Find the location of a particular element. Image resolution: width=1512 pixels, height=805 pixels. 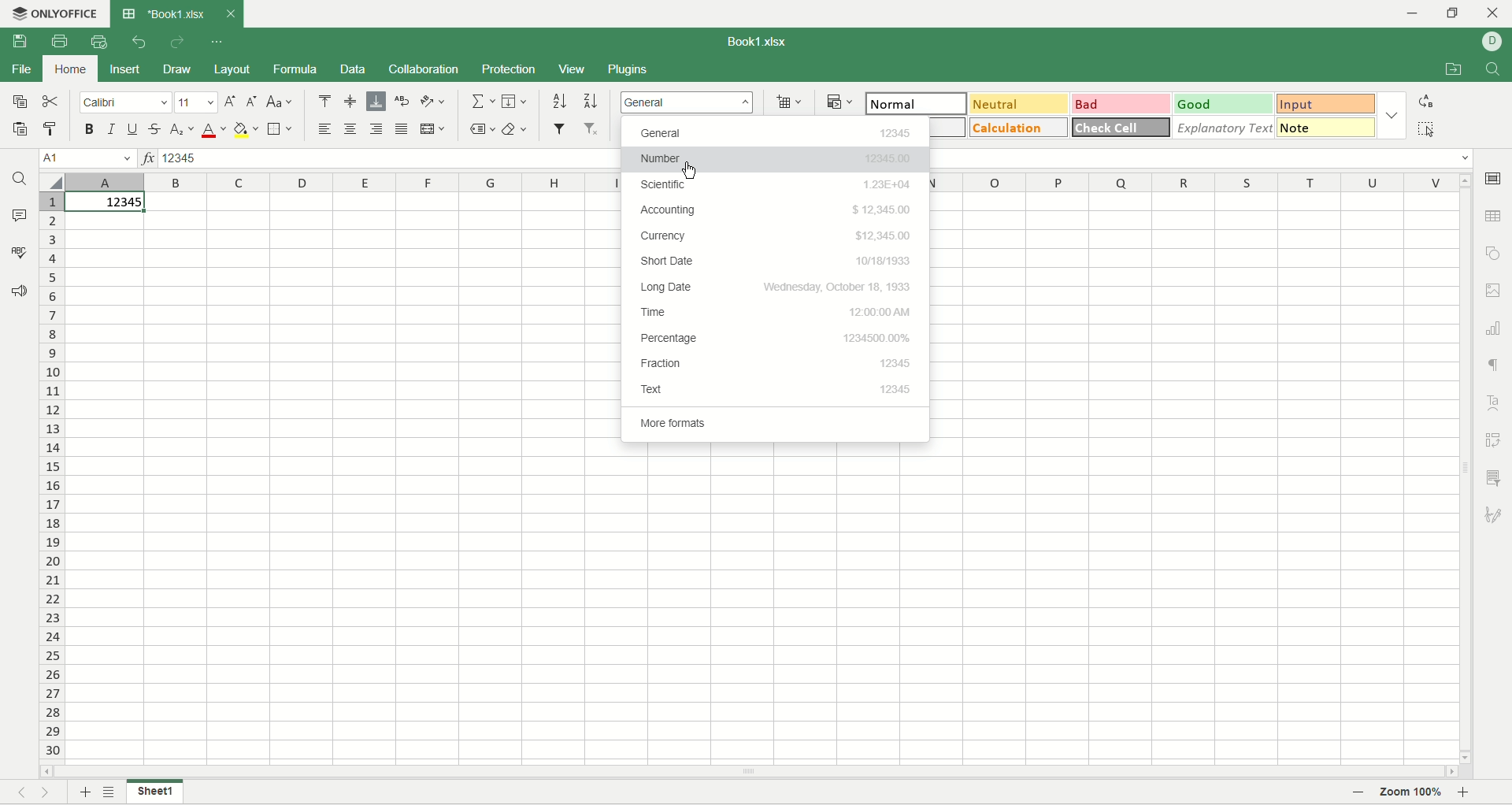

long date is located at coordinates (776, 288).